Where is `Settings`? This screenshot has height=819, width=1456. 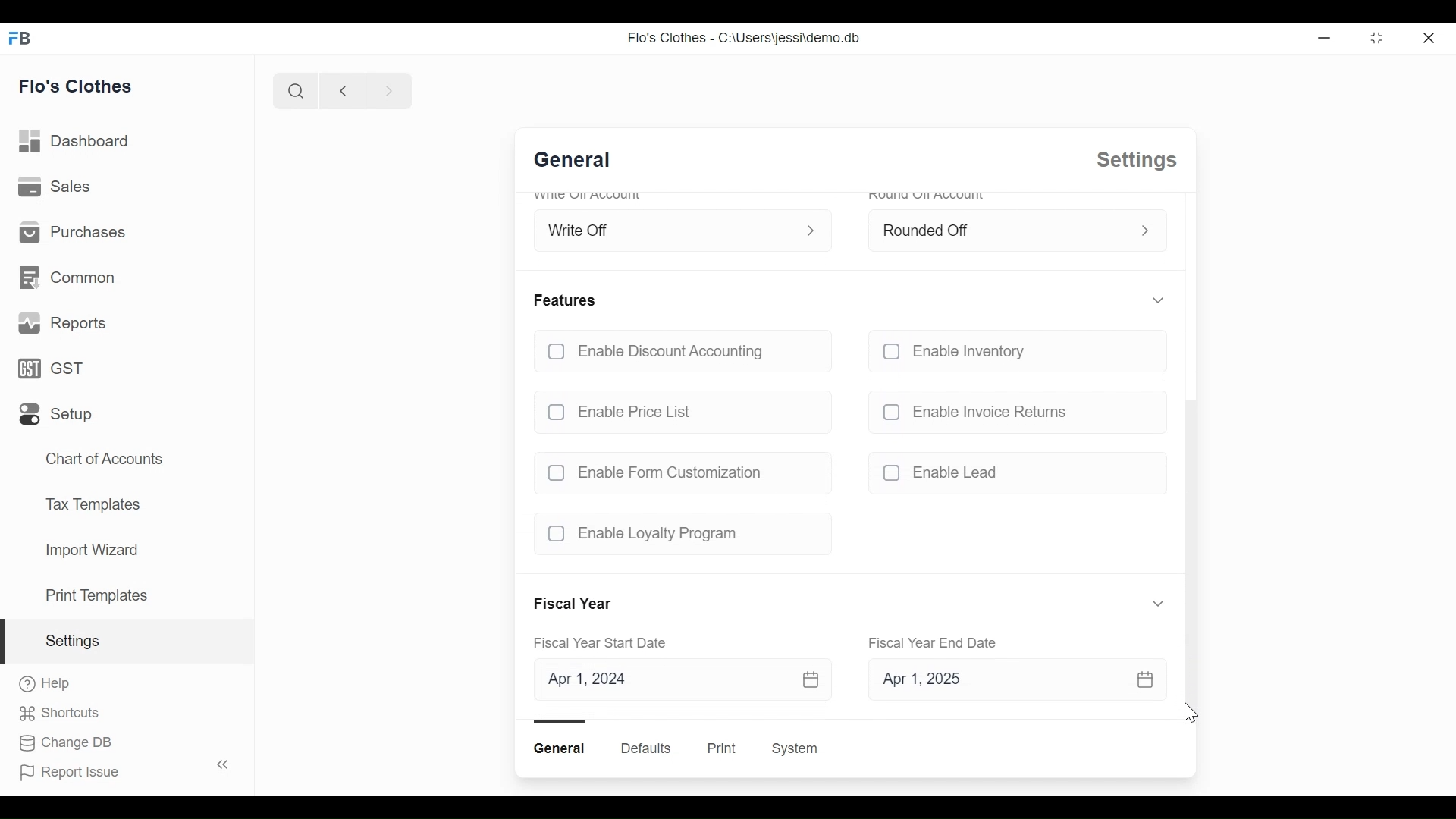
Settings is located at coordinates (1134, 160).